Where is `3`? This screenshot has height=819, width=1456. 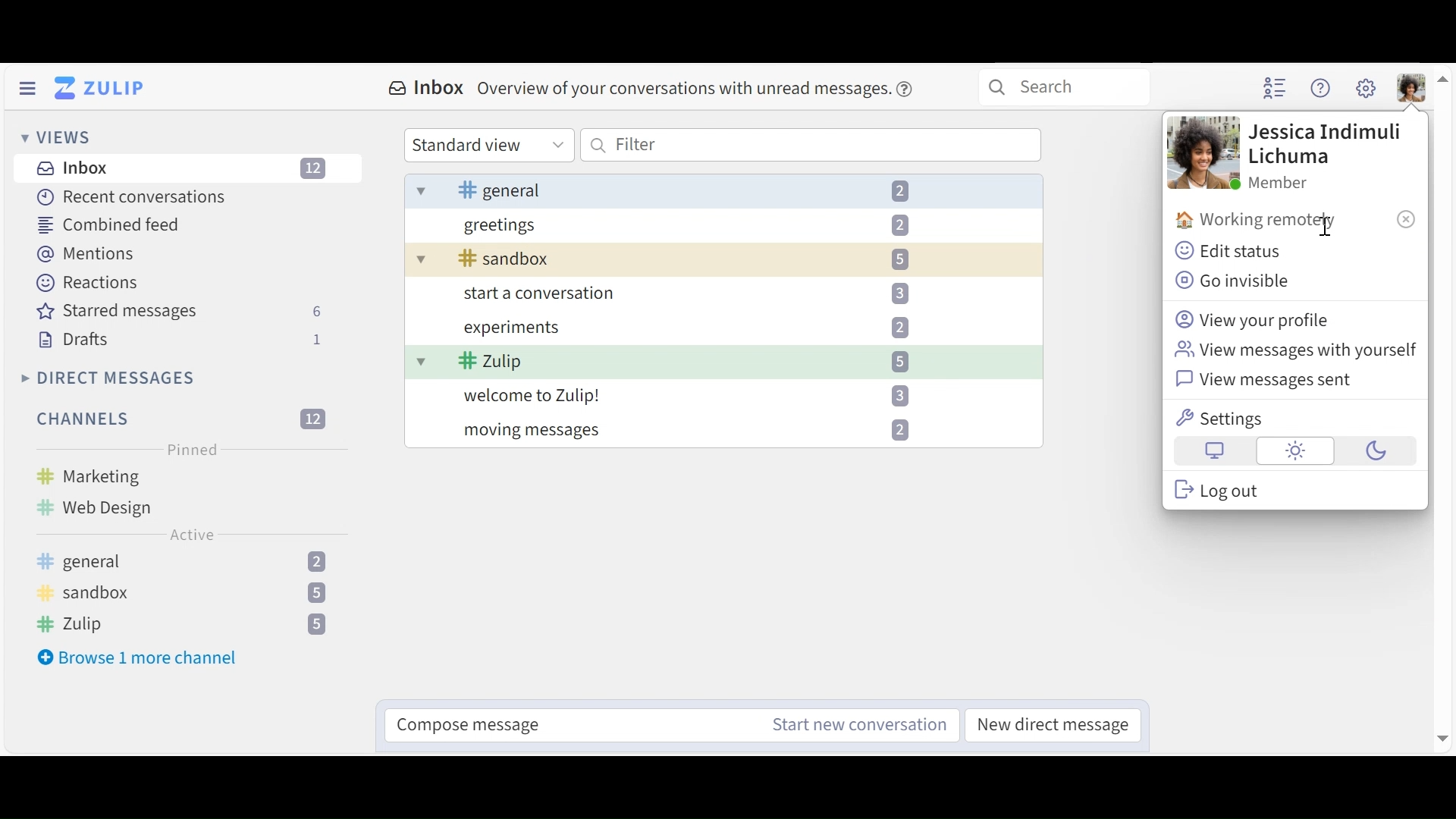
3 is located at coordinates (890, 293).